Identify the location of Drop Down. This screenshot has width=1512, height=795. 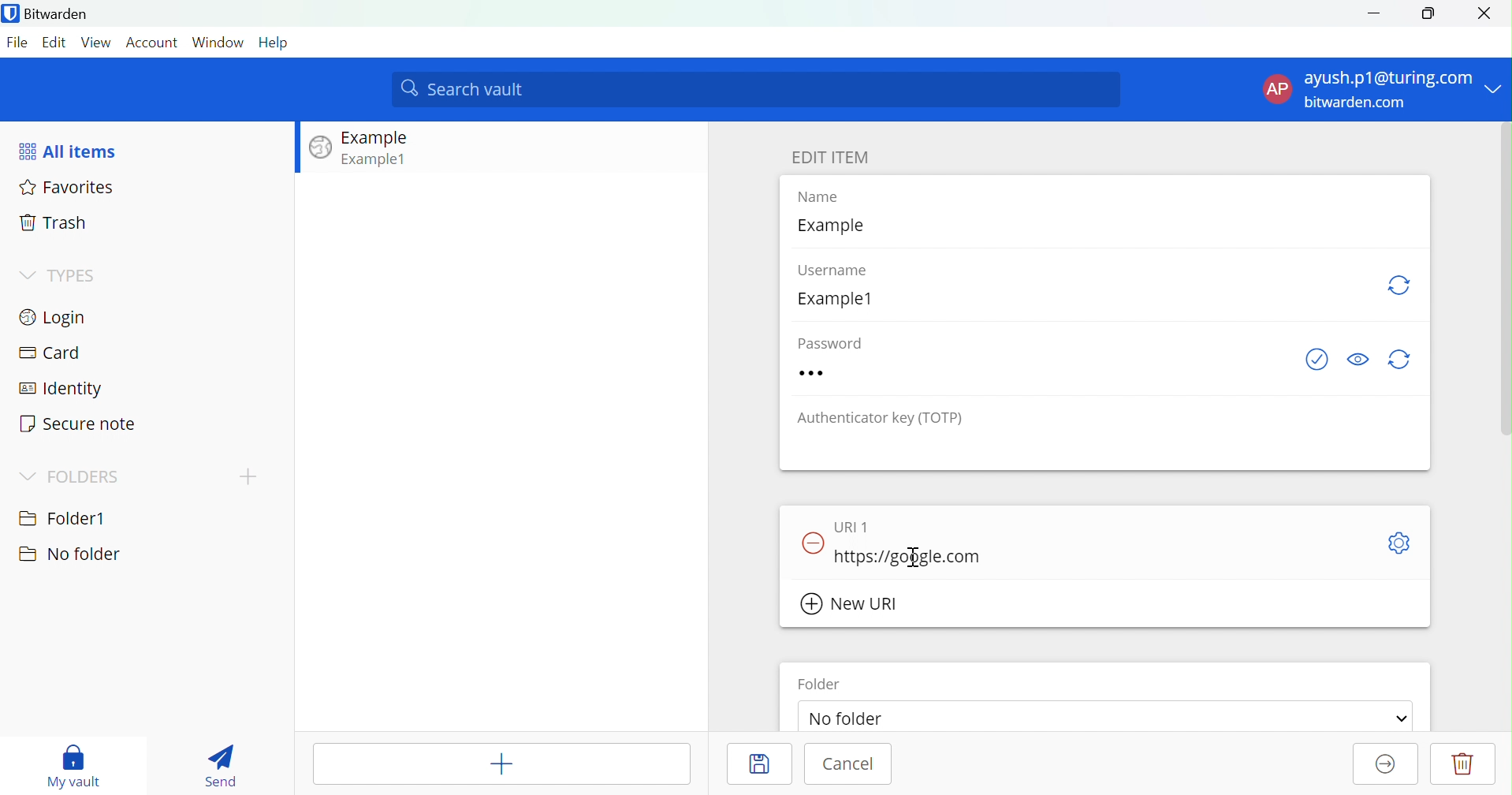
(1402, 718).